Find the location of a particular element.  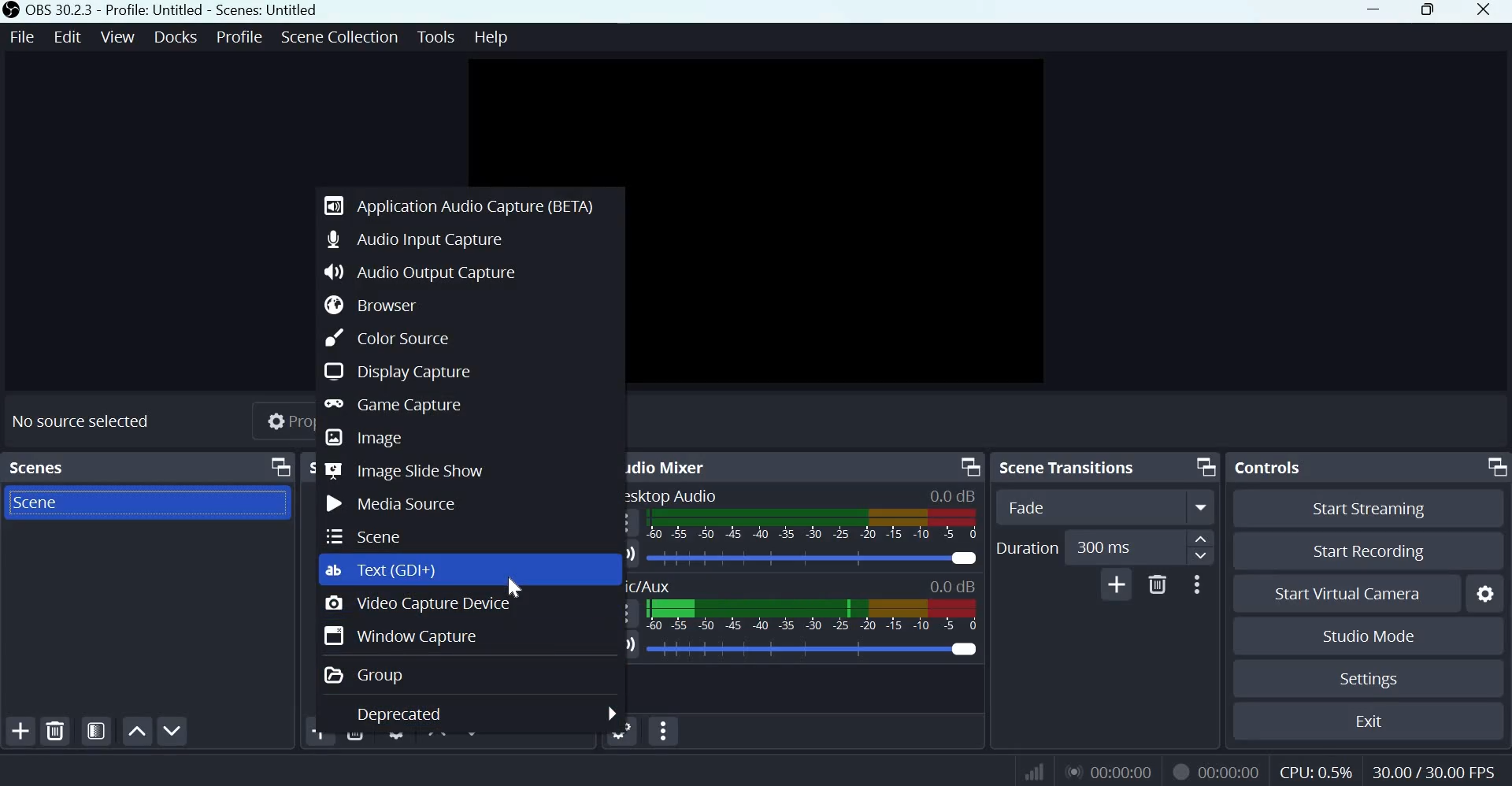

Image slide show is located at coordinates (407, 471).